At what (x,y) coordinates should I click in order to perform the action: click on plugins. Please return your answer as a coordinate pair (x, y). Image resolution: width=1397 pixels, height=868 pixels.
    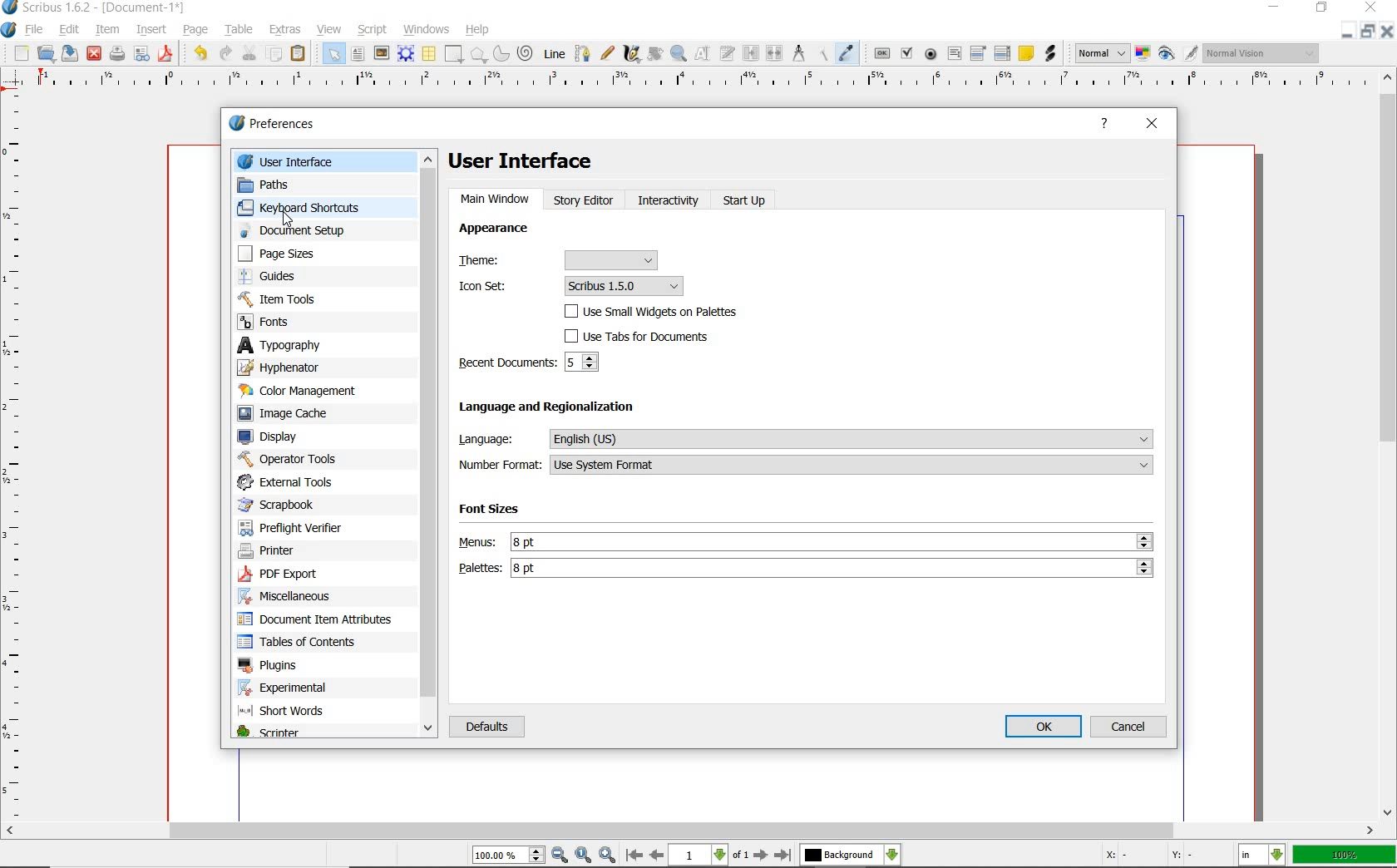
    Looking at the image, I should click on (270, 666).